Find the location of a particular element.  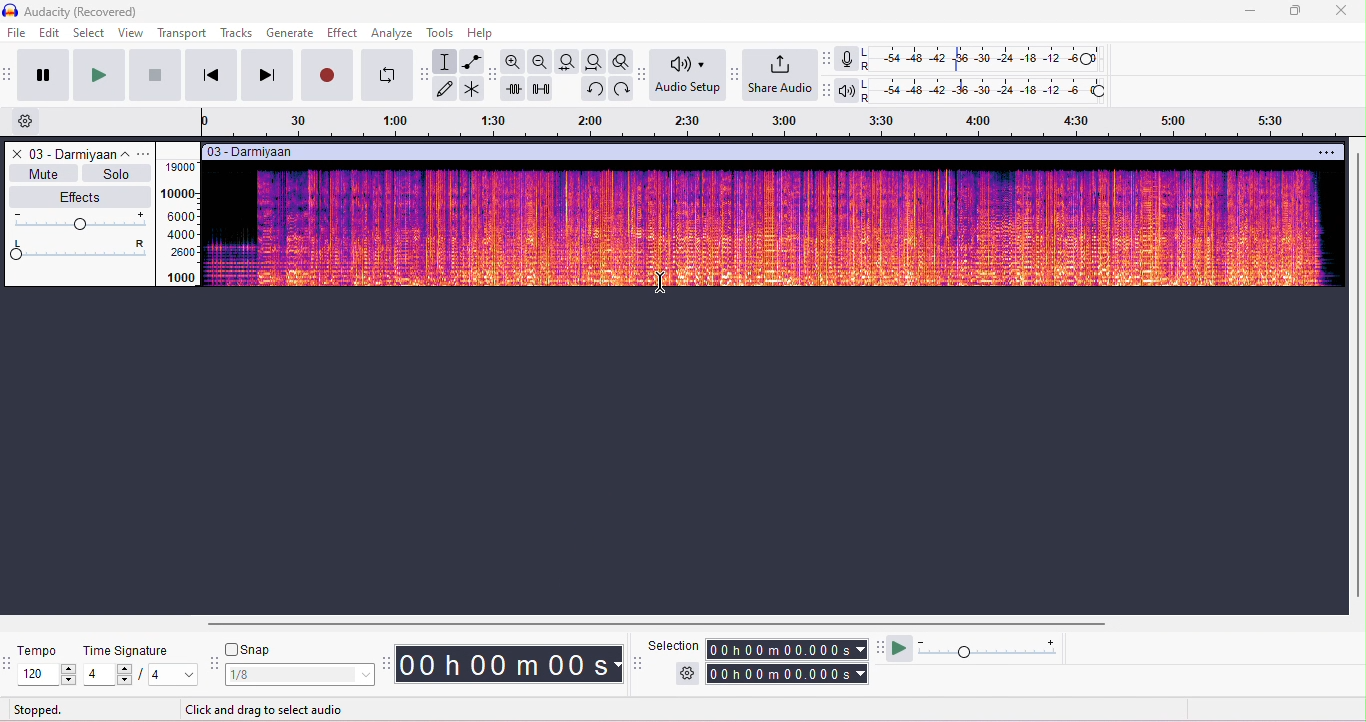

pan is located at coordinates (81, 249).